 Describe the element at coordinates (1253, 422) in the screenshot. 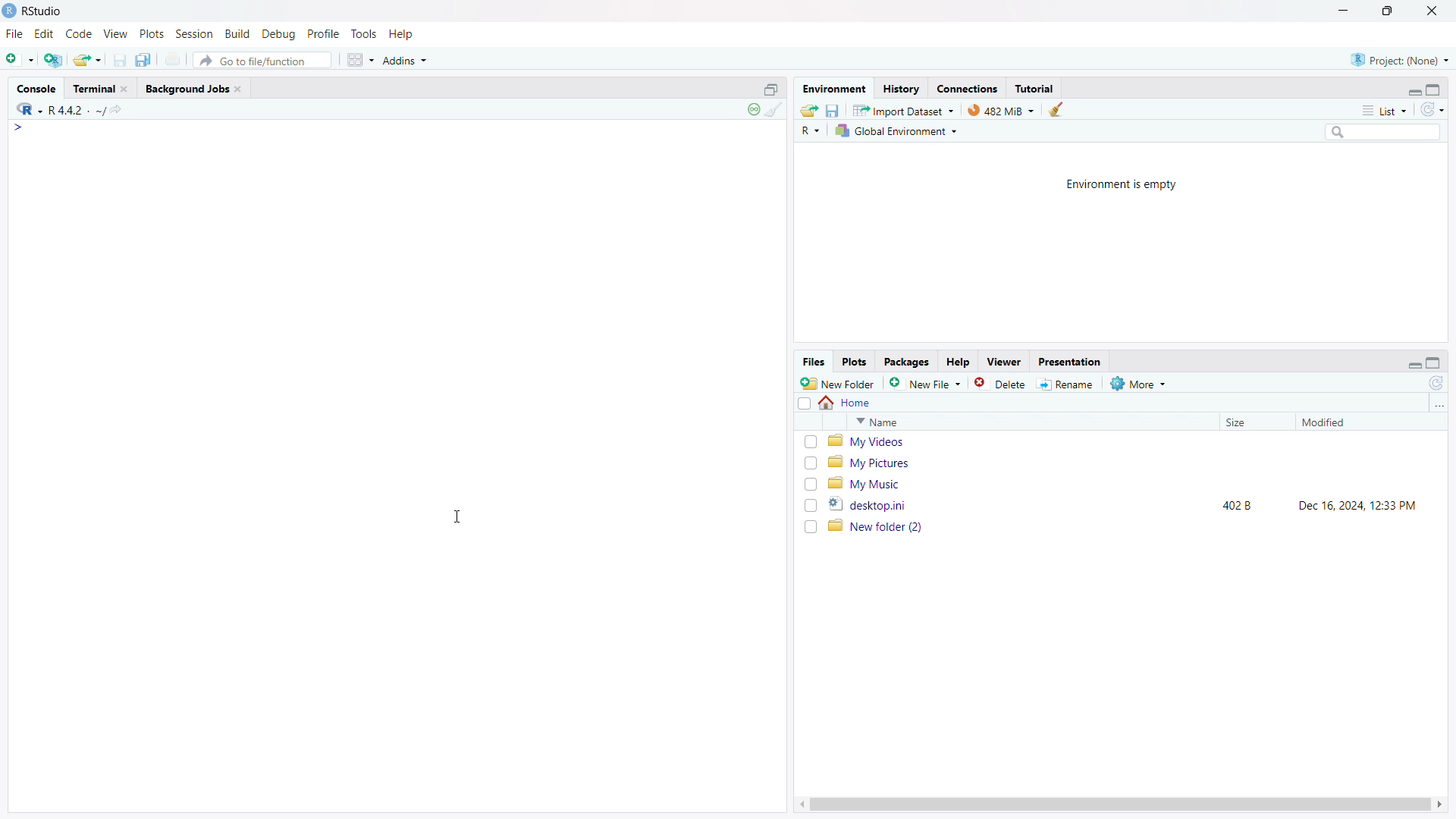

I see `size` at that location.